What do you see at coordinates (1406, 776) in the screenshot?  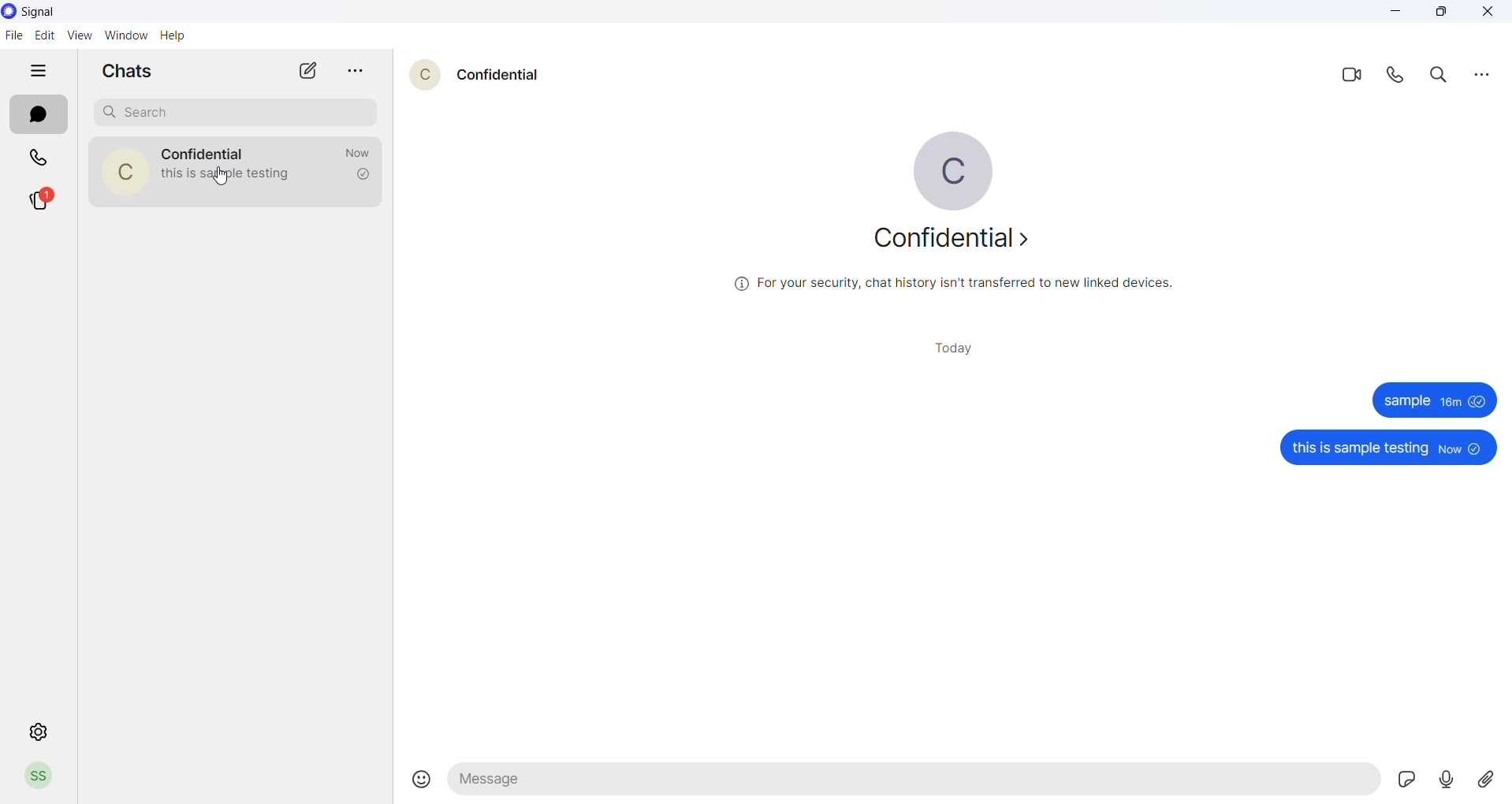 I see `send sticker` at bounding box center [1406, 776].